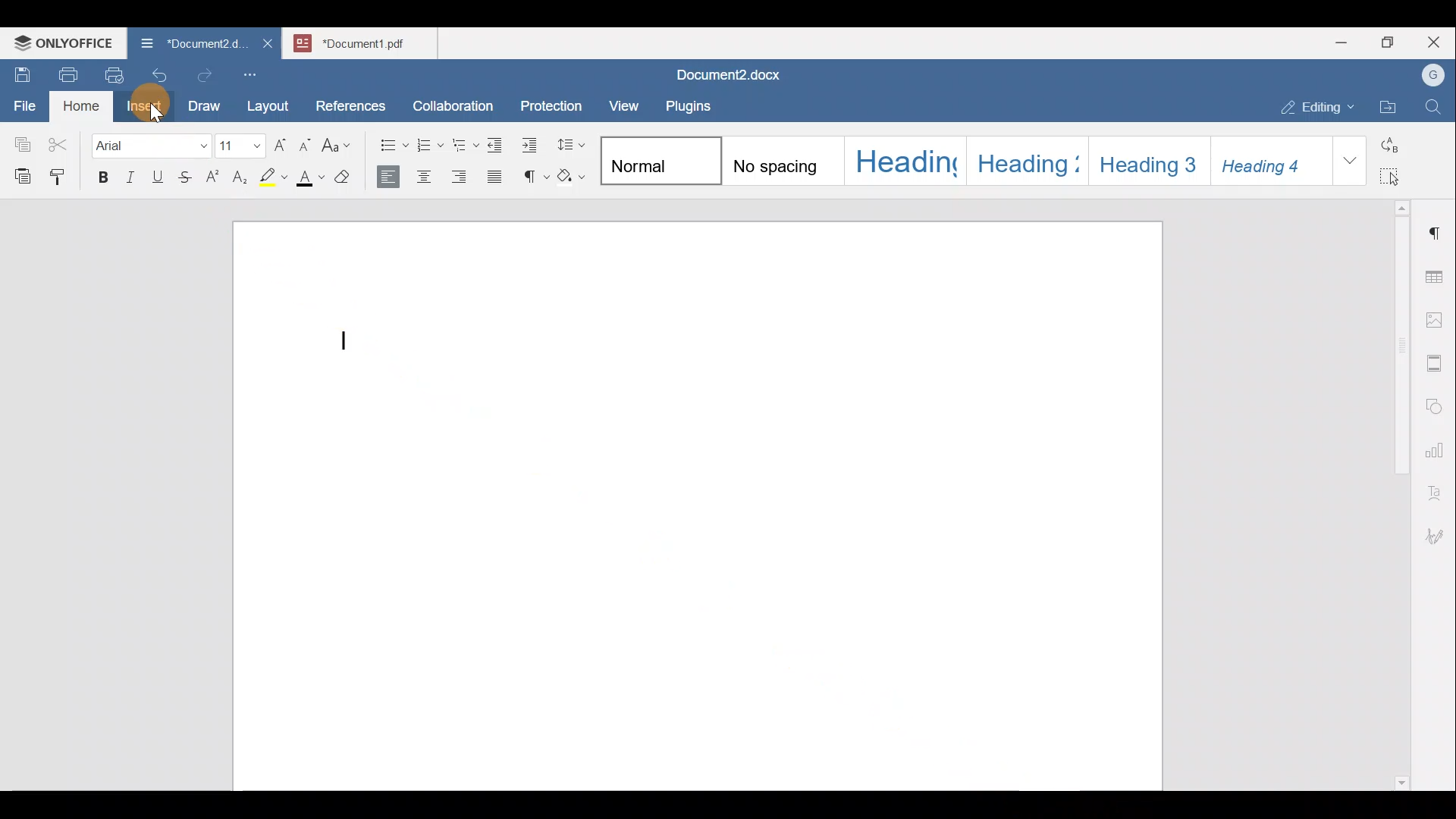  What do you see at coordinates (304, 143) in the screenshot?
I see `Decrease font size` at bounding box center [304, 143].